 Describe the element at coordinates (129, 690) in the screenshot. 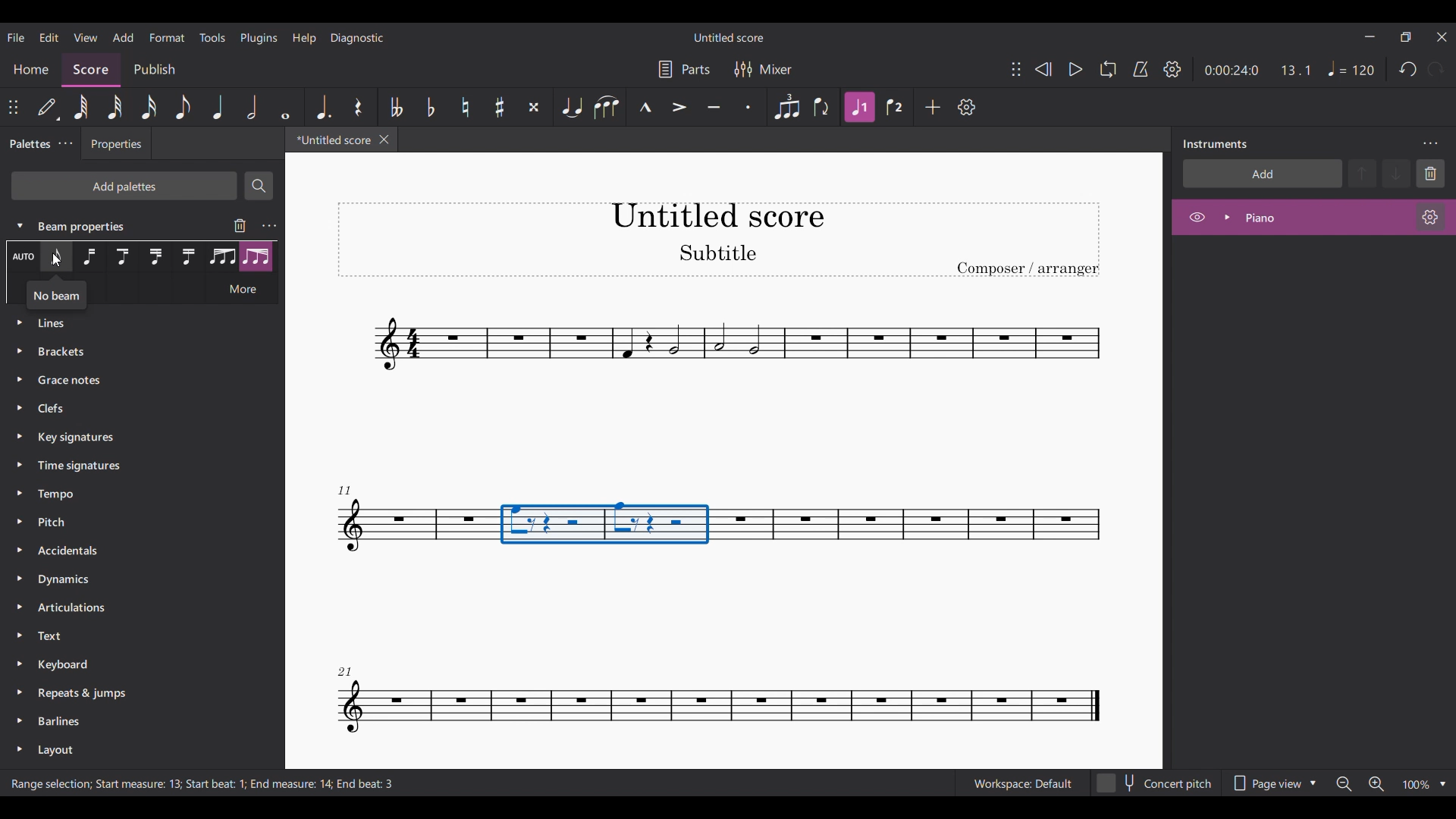

I see `Repeats & jumps` at that location.